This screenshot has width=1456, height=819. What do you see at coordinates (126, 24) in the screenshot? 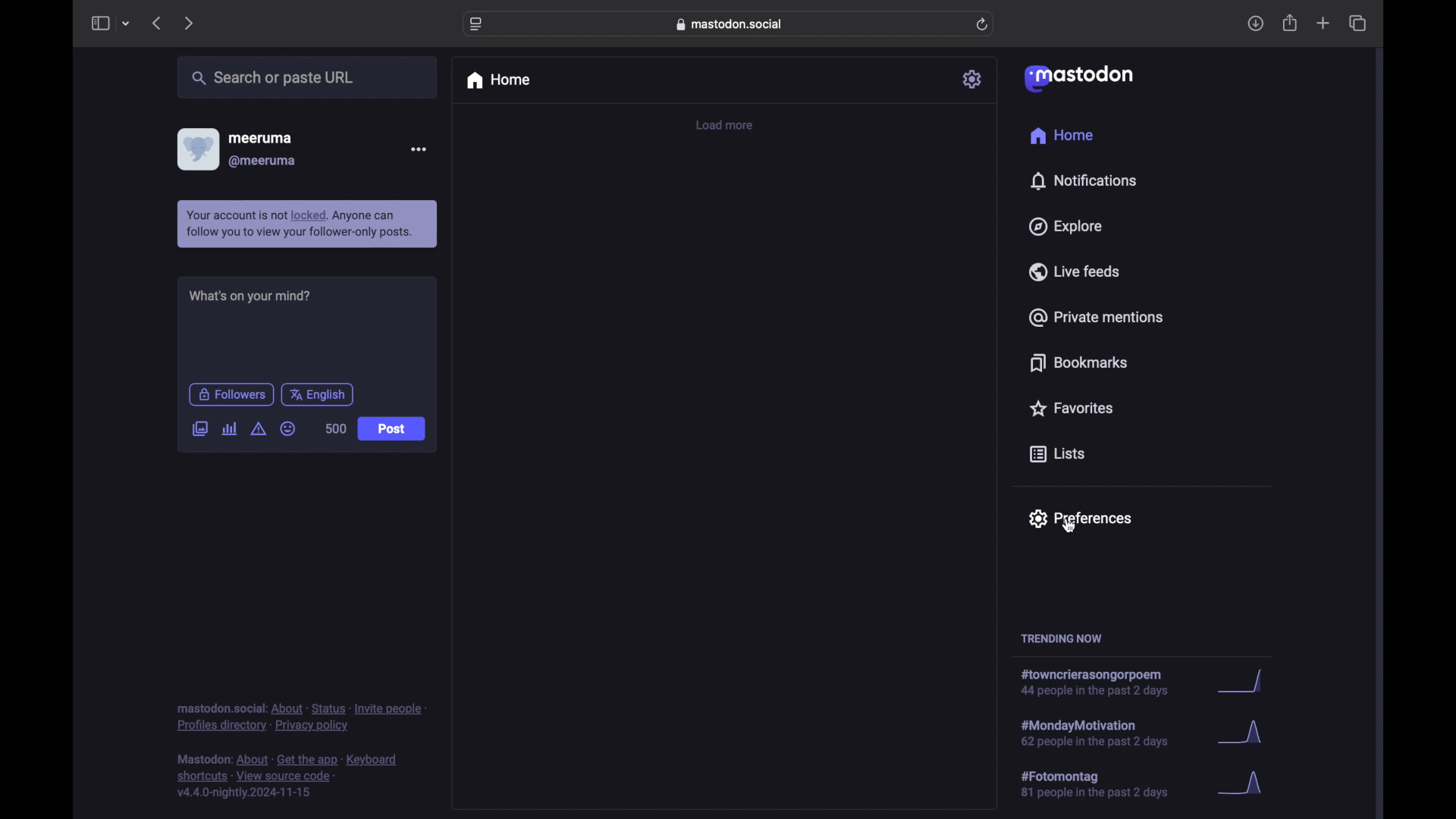
I see `tab group picker` at bounding box center [126, 24].